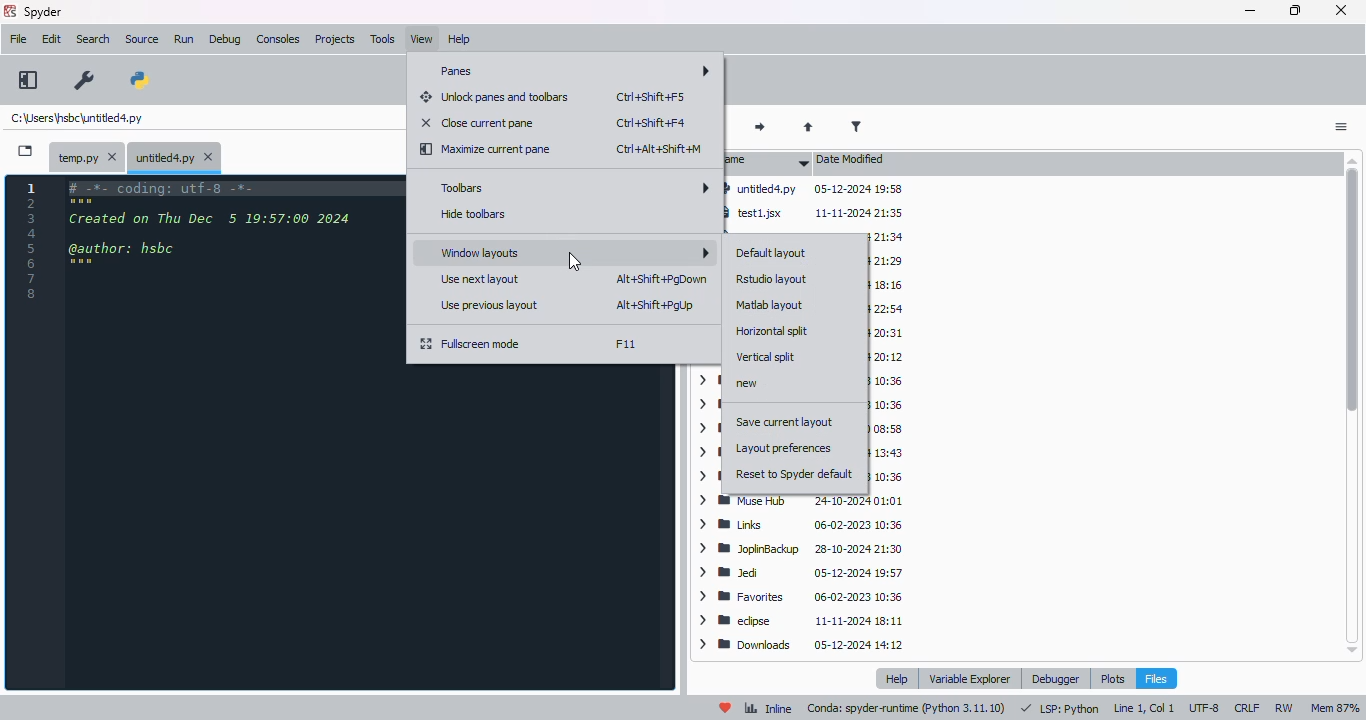  Describe the element at coordinates (52, 39) in the screenshot. I see `edit` at that location.